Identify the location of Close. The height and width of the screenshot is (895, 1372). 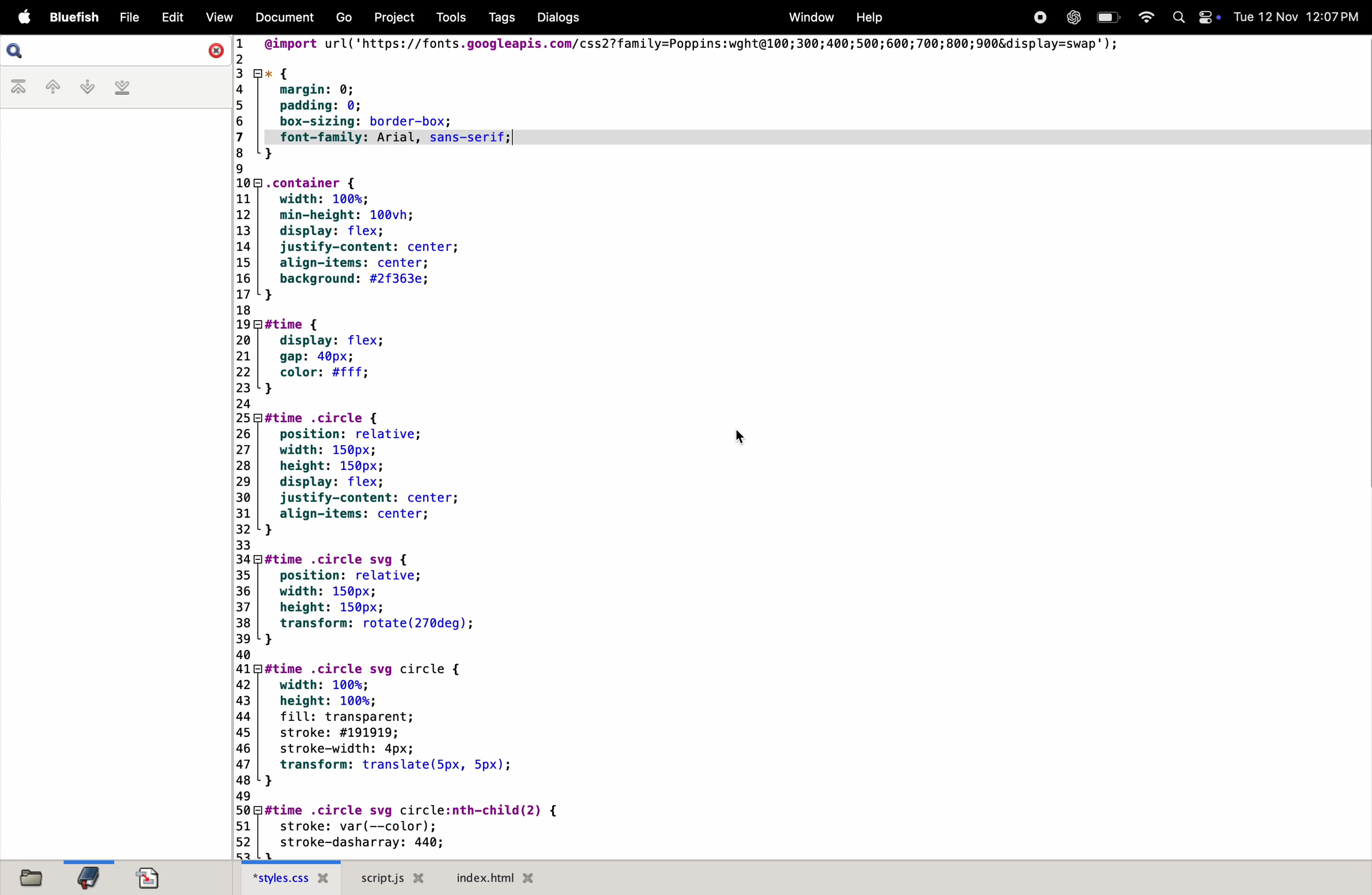
(213, 49).